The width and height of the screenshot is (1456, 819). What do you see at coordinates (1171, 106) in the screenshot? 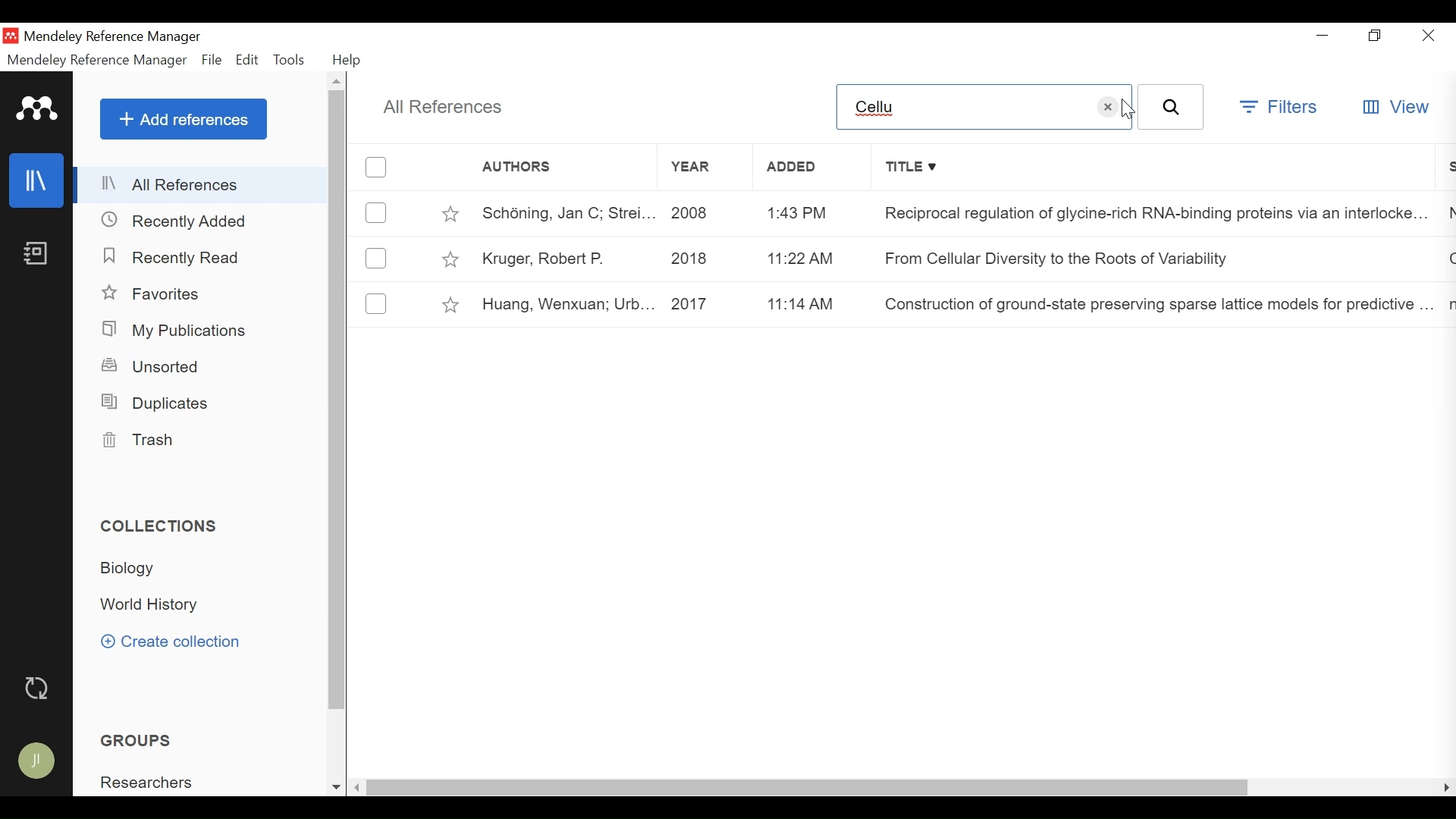
I see `Search` at bounding box center [1171, 106].